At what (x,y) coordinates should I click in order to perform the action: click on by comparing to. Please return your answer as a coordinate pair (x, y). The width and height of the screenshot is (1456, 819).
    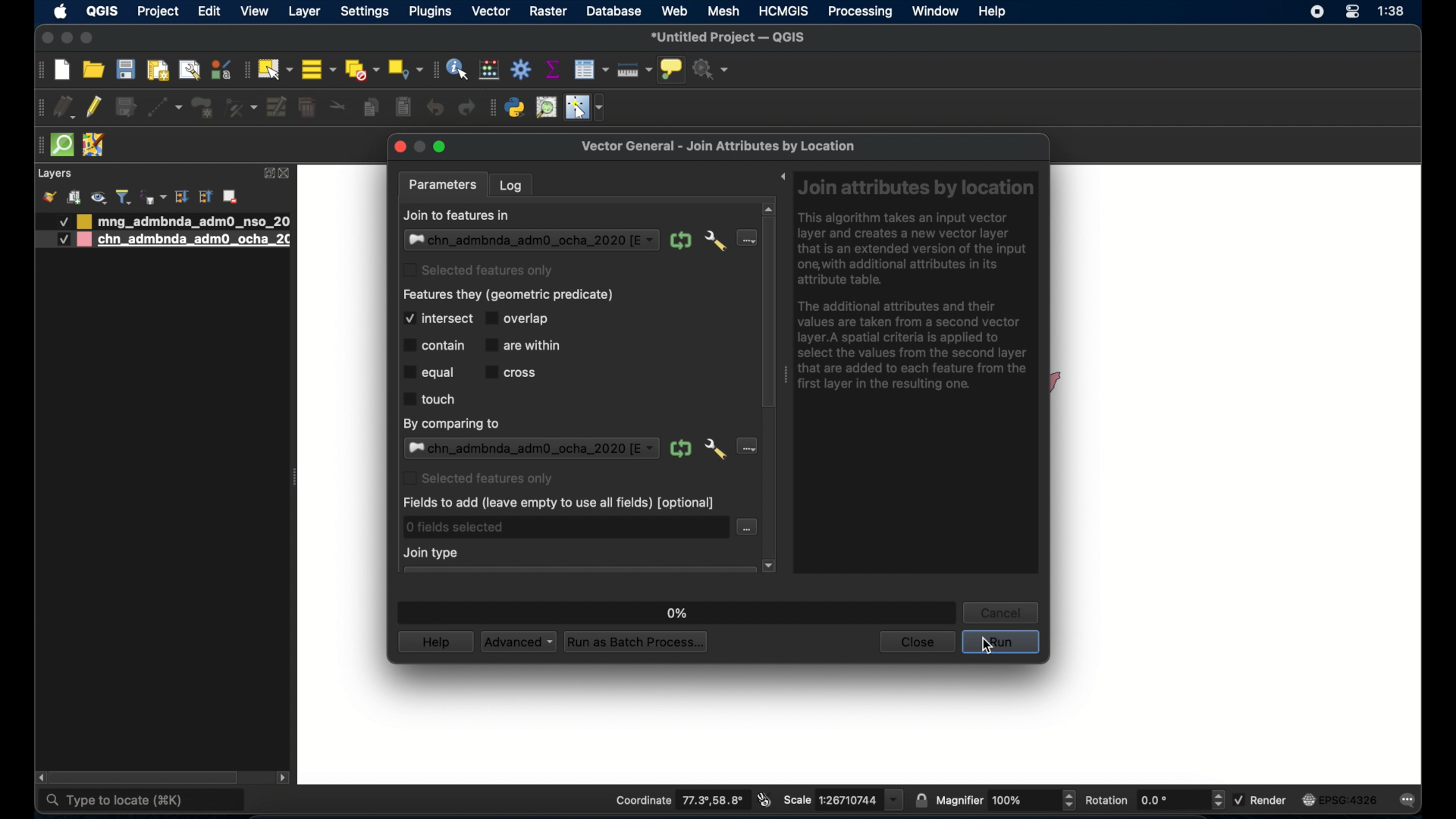
    Looking at the image, I should click on (454, 424).